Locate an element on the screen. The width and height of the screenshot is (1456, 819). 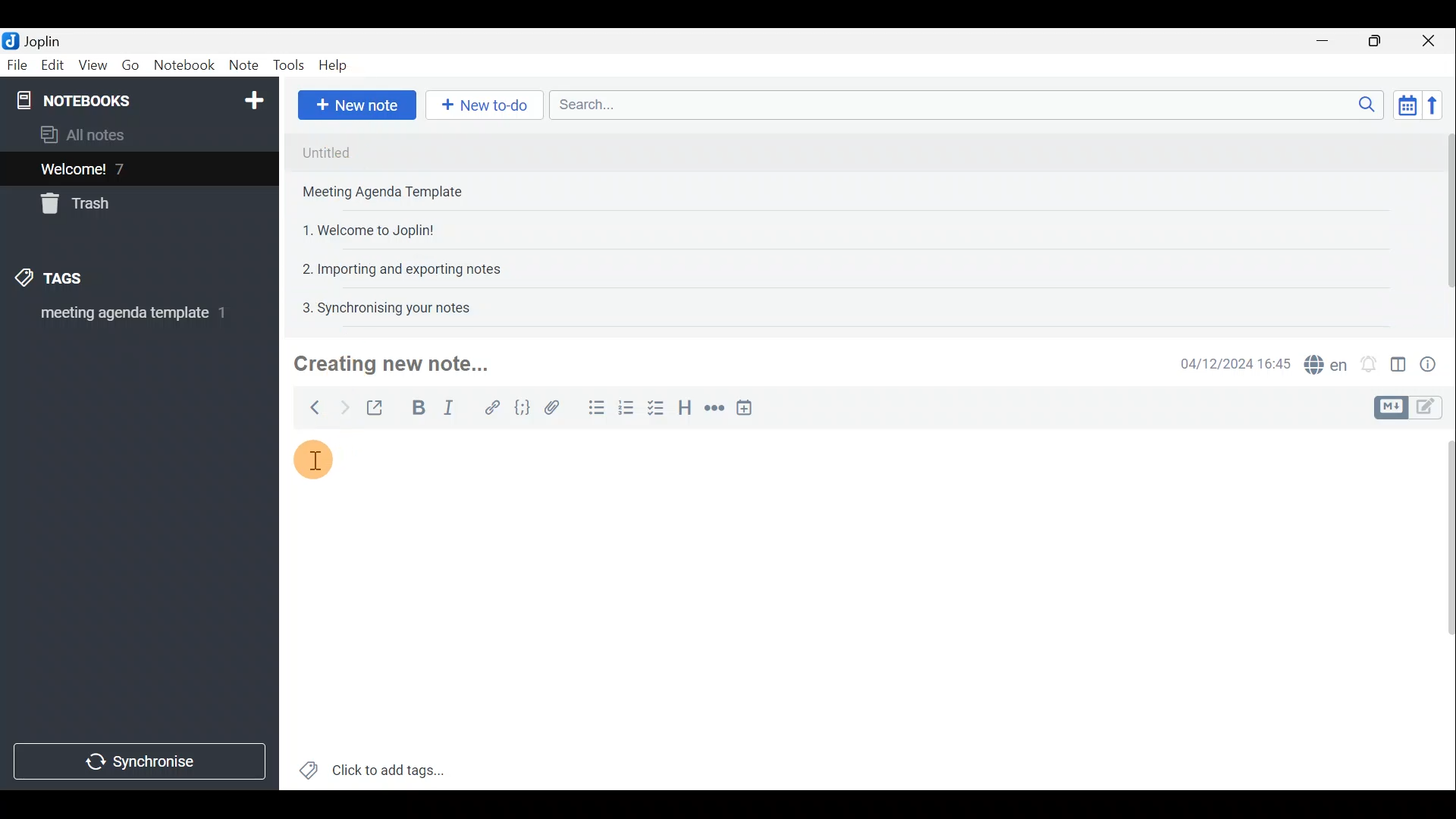
New to-do is located at coordinates (485, 105).